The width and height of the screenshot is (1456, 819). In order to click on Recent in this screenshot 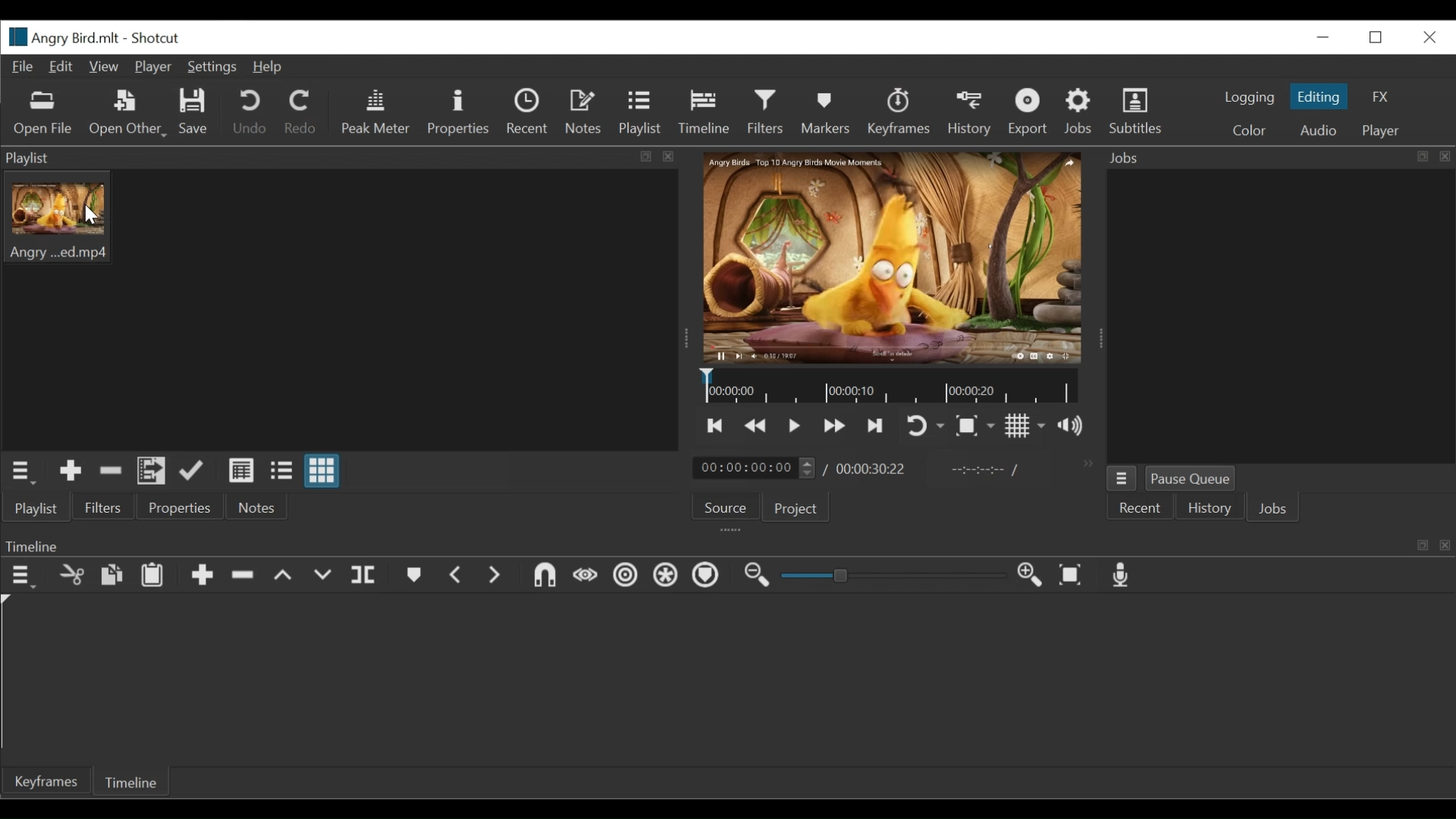, I will do `click(529, 111)`.